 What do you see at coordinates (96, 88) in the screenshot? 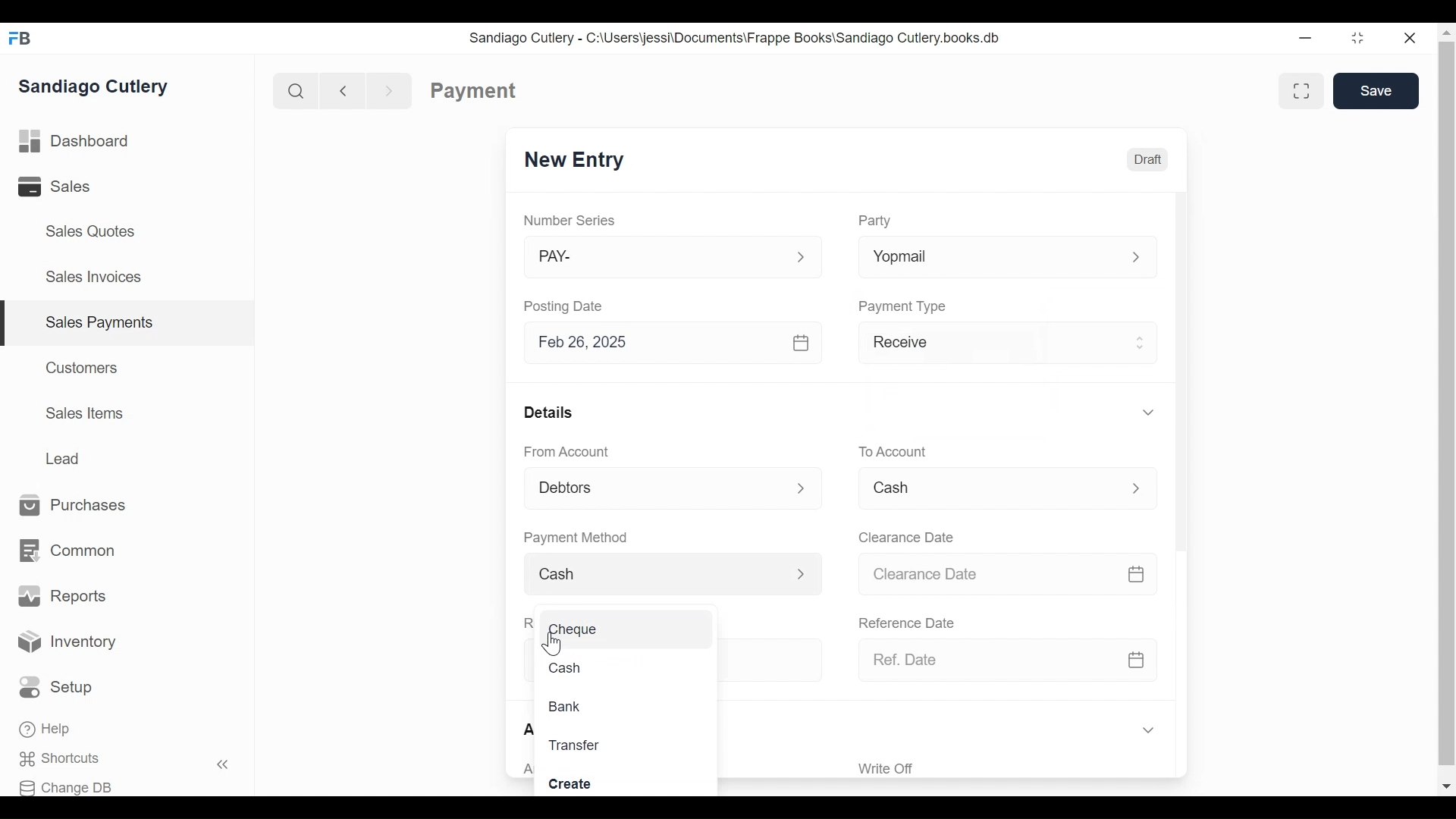
I see `Sandiago Cutlery` at bounding box center [96, 88].